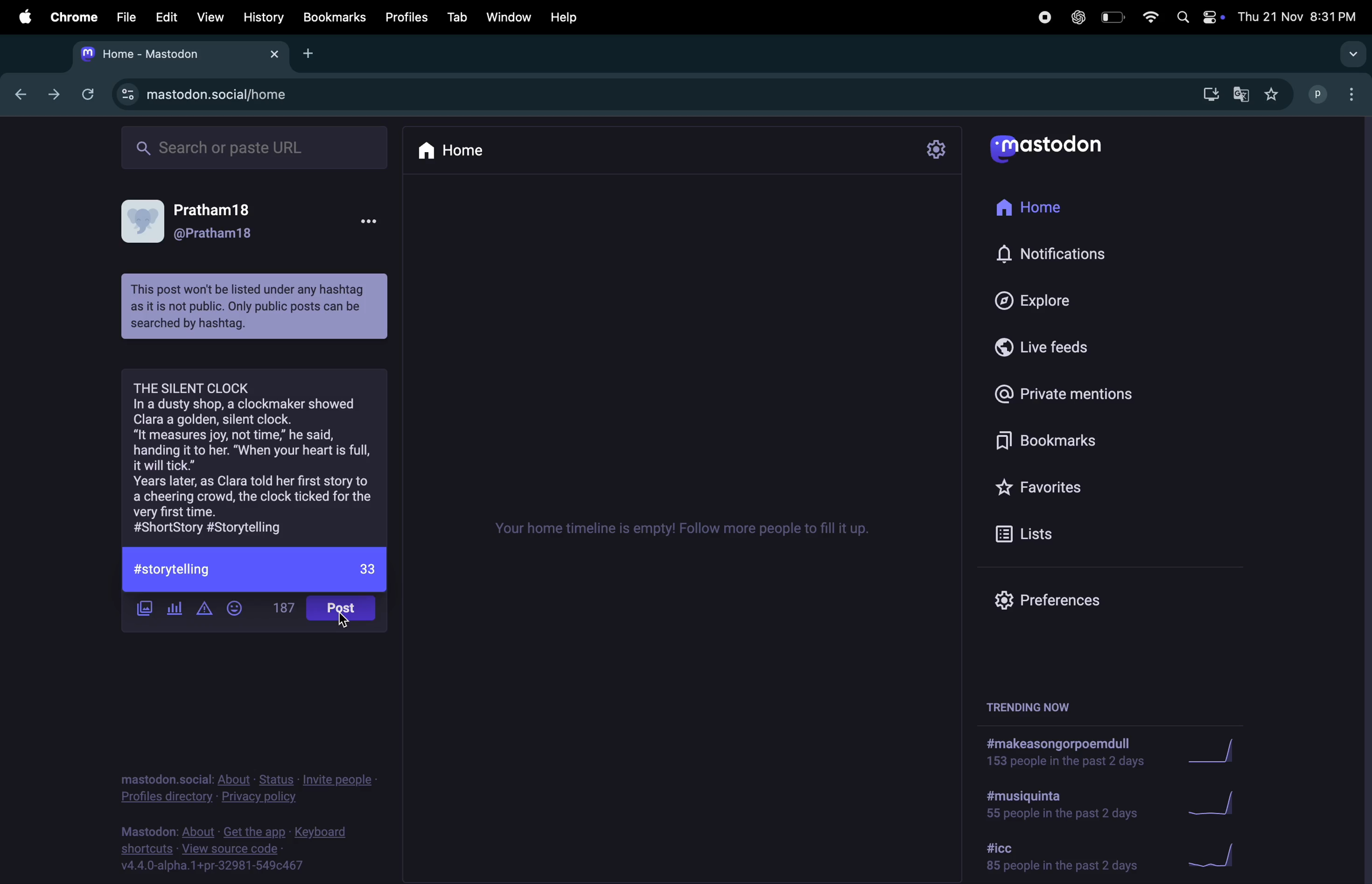 The height and width of the screenshot is (884, 1372). Describe the element at coordinates (256, 148) in the screenshot. I see `searchbar` at that location.